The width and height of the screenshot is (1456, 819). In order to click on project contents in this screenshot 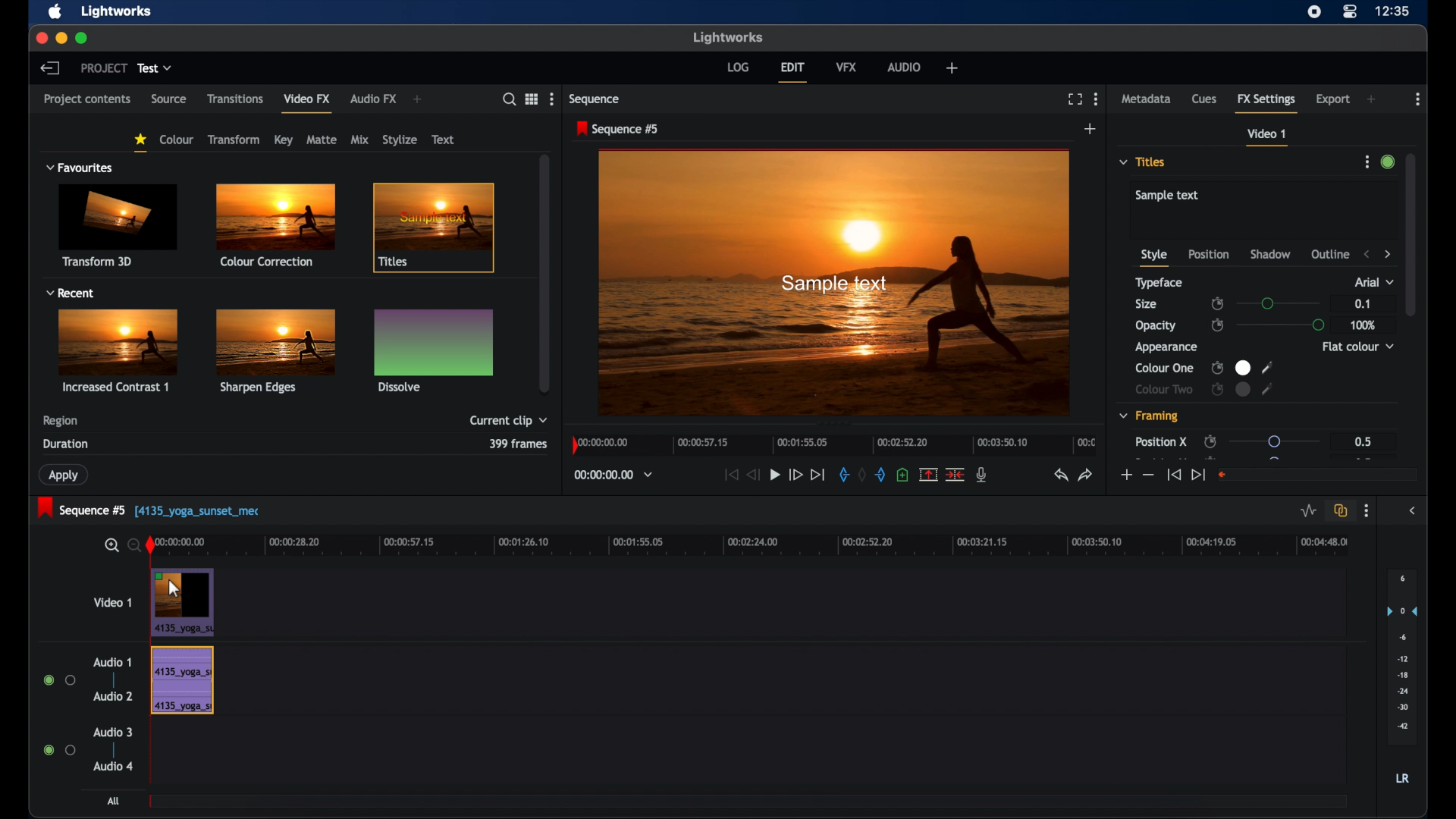, I will do `click(87, 103)`.